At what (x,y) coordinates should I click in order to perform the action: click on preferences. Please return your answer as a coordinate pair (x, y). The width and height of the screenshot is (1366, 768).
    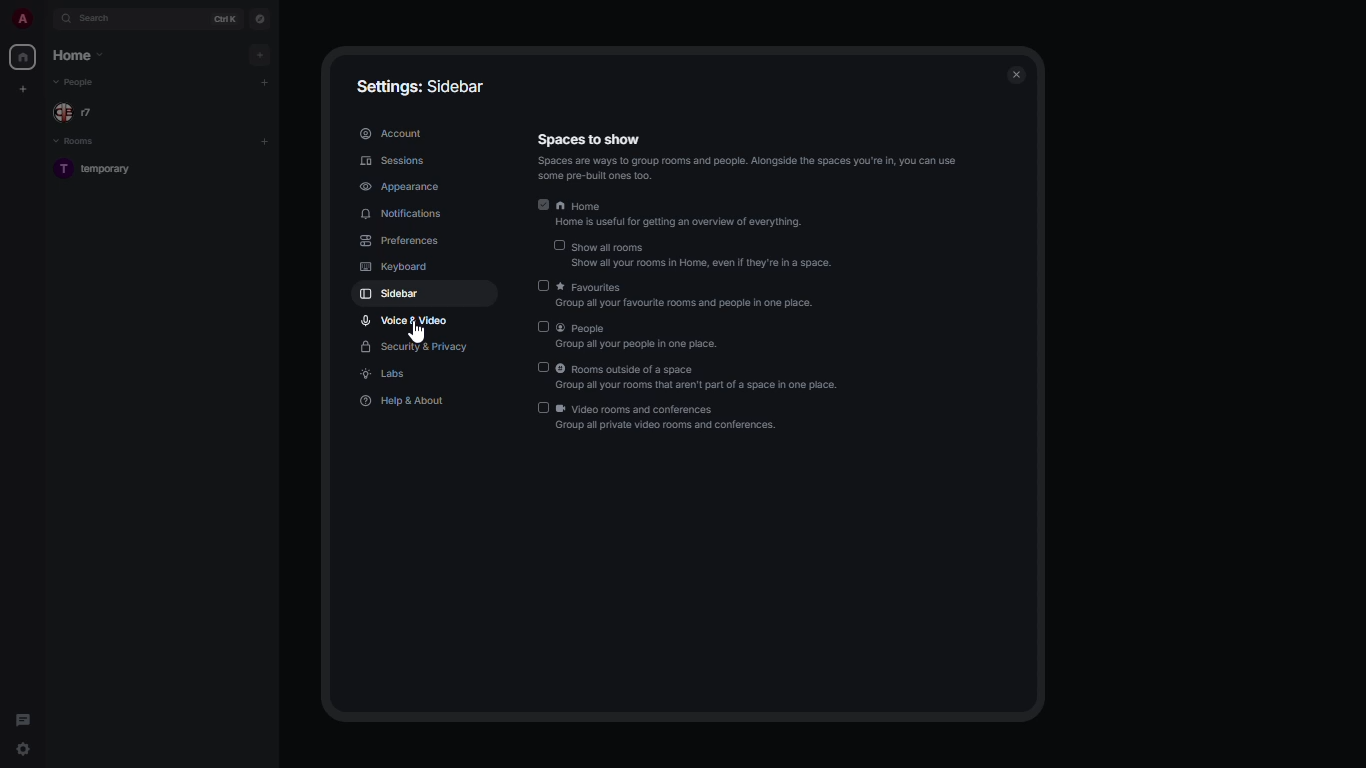
    Looking at the image, I should click on (399, 240).